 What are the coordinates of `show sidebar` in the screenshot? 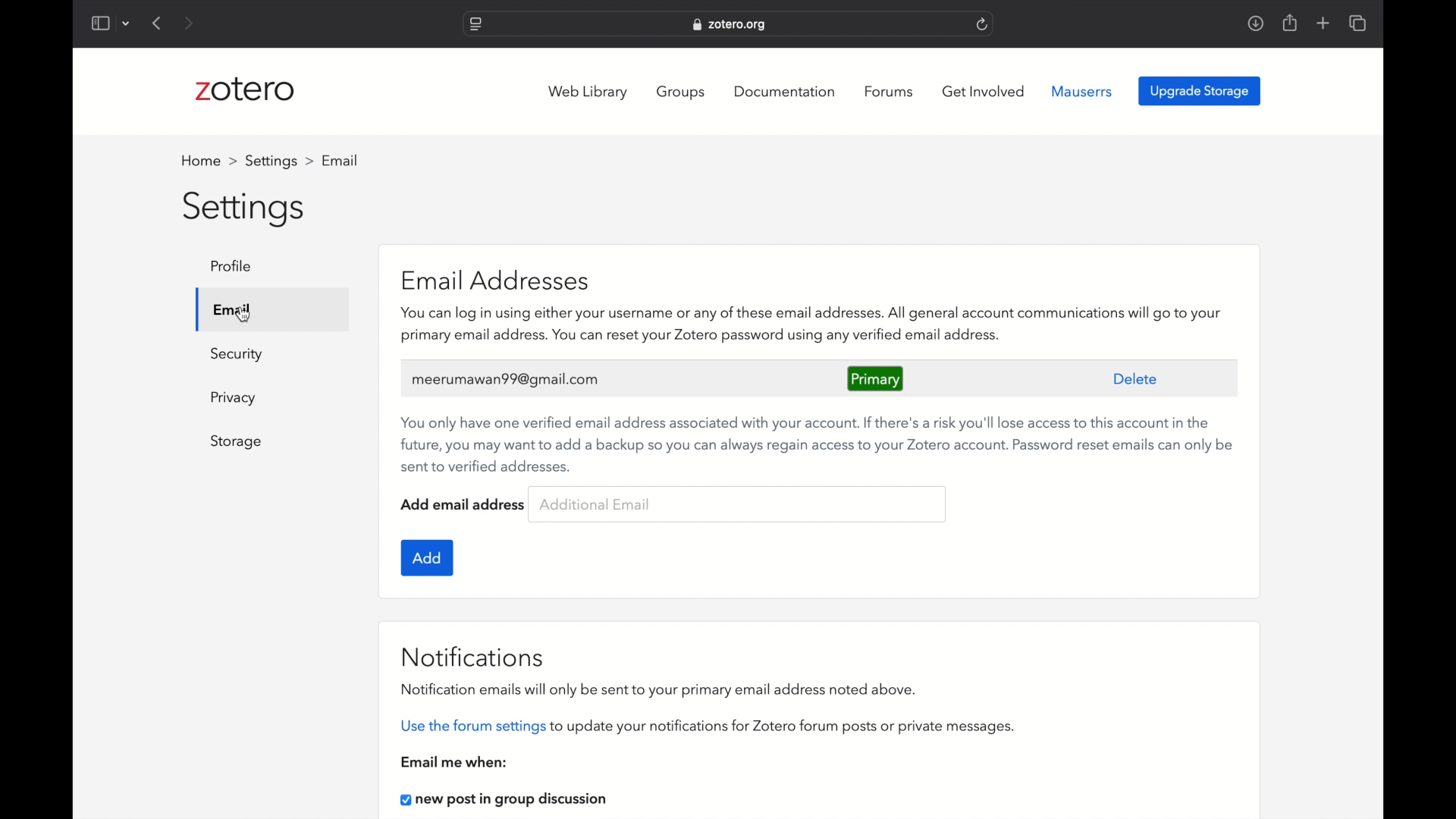 It's located at (99, 23).